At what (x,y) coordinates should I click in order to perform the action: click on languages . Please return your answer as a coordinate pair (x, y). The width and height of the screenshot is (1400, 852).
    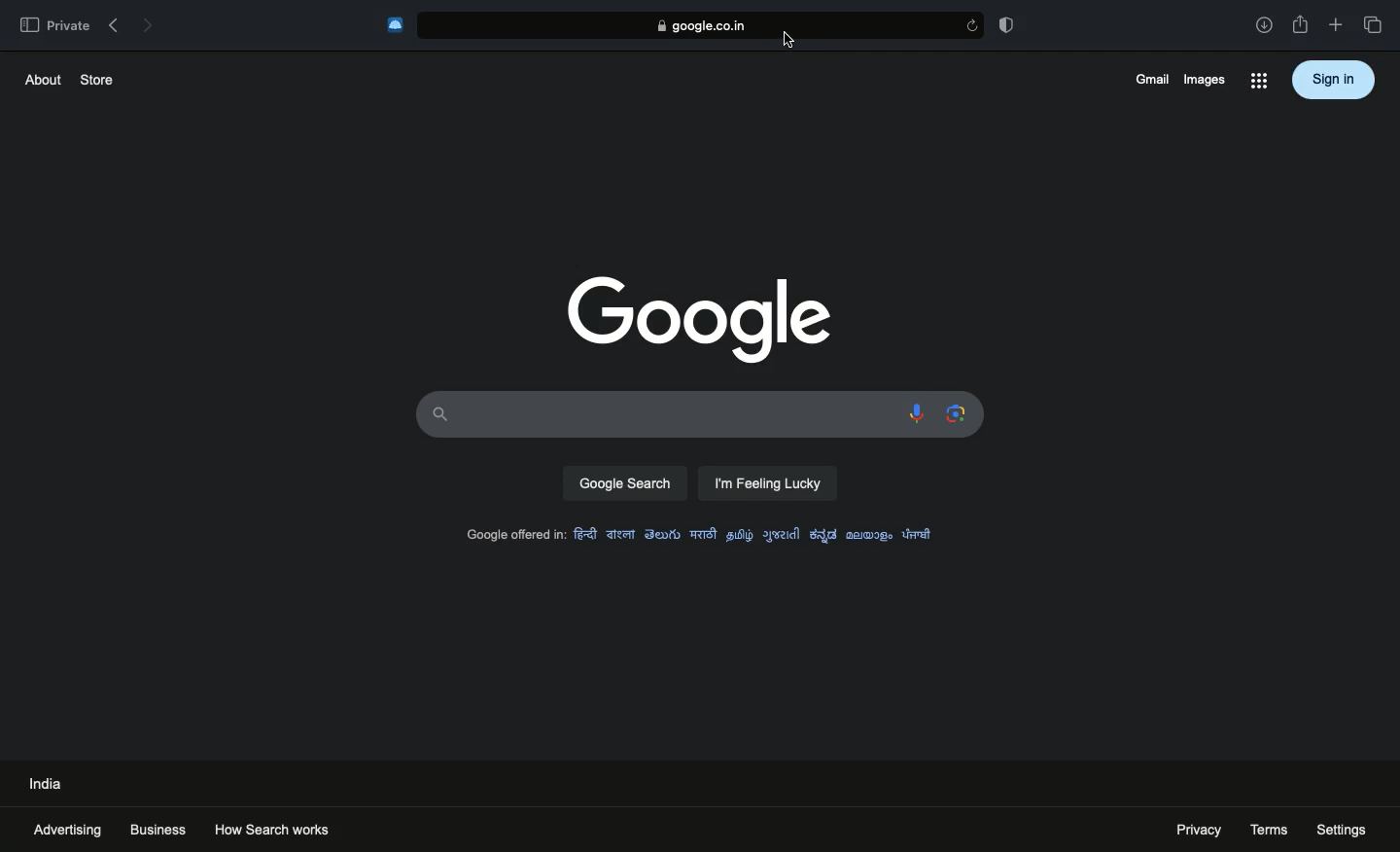
    Looking at the image, I should click on (757, 532).